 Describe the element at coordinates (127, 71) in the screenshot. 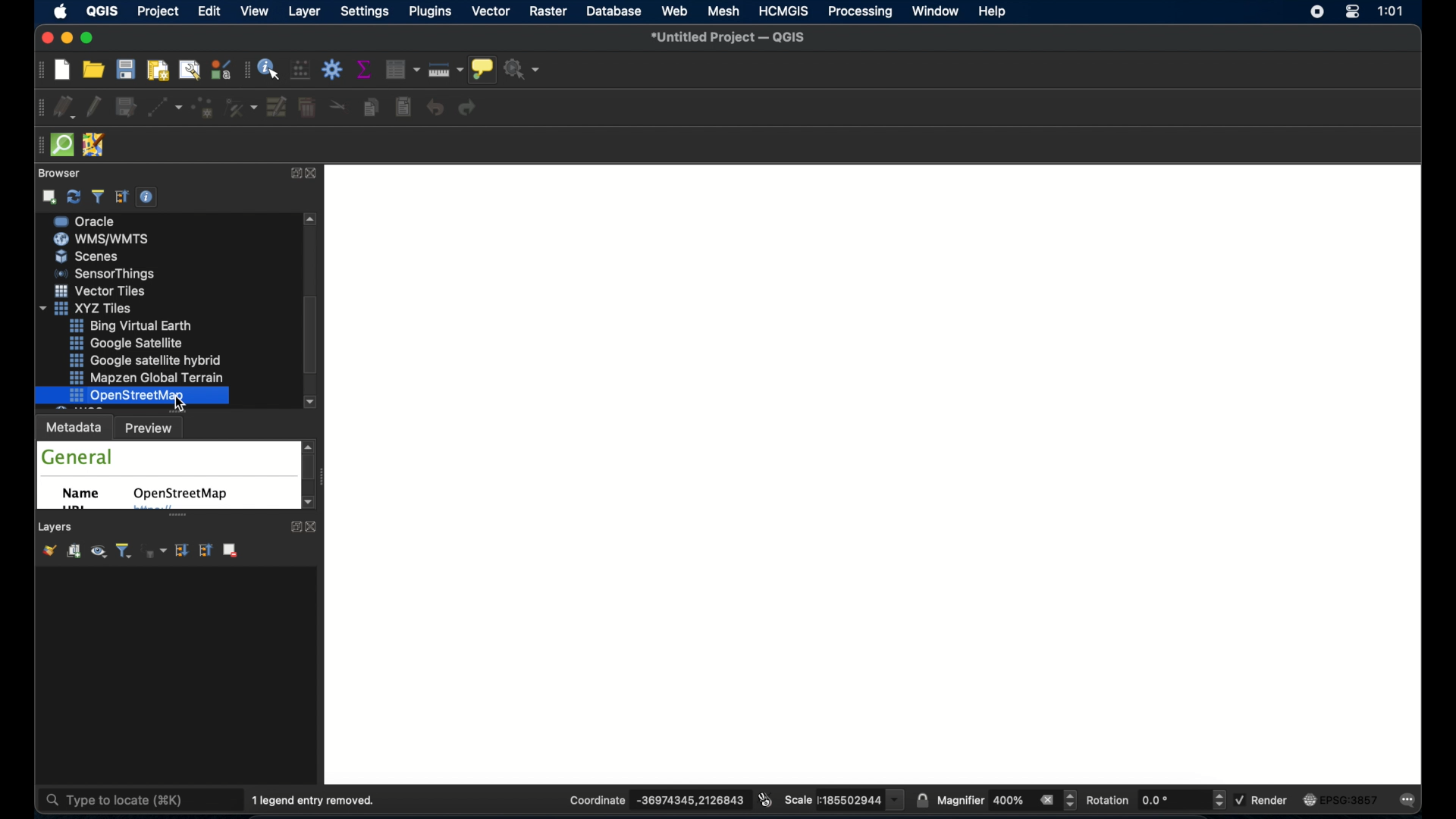

I see `save project` at that location.